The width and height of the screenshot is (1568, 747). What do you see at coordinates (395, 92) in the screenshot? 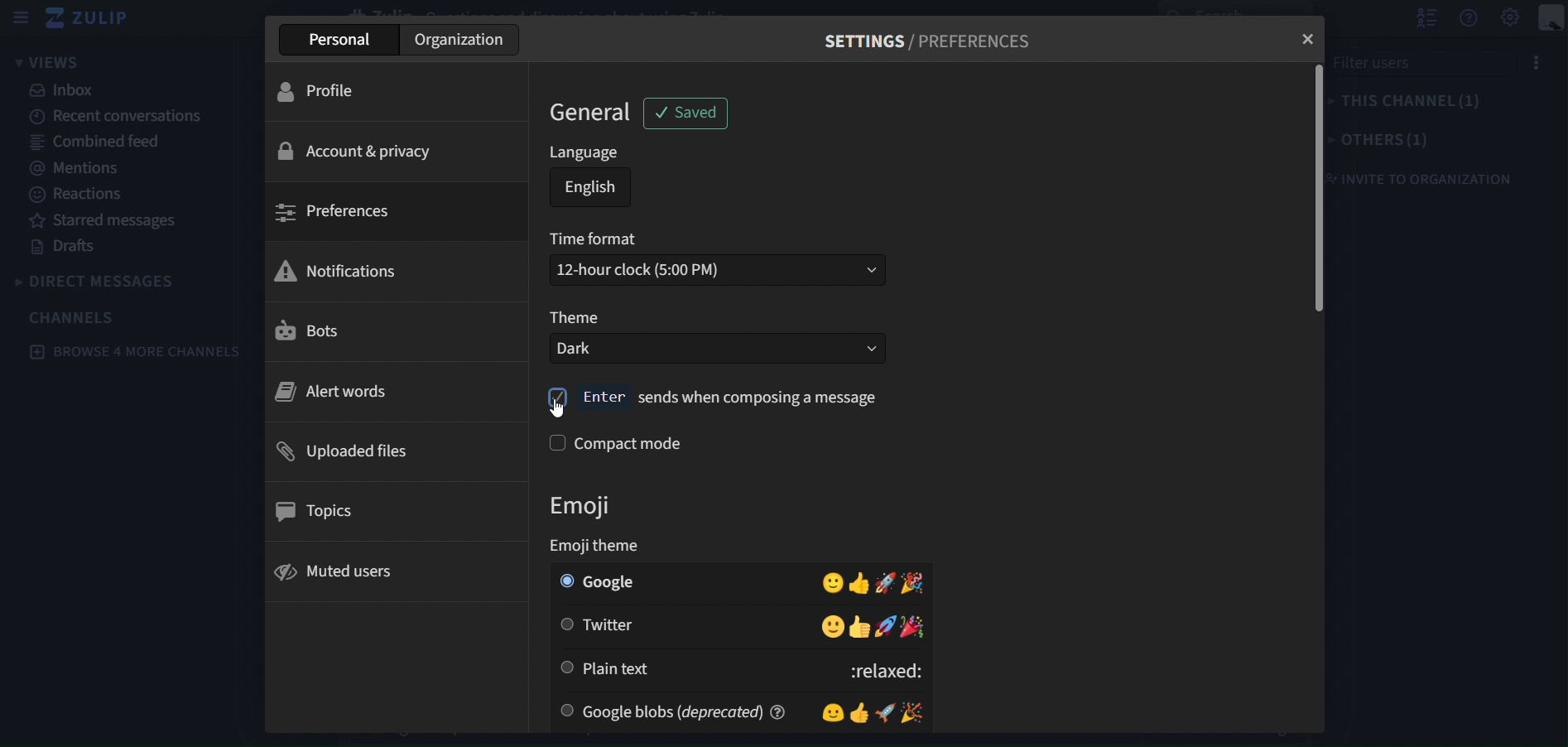
I see `profile` at bounding box center [395, 92].